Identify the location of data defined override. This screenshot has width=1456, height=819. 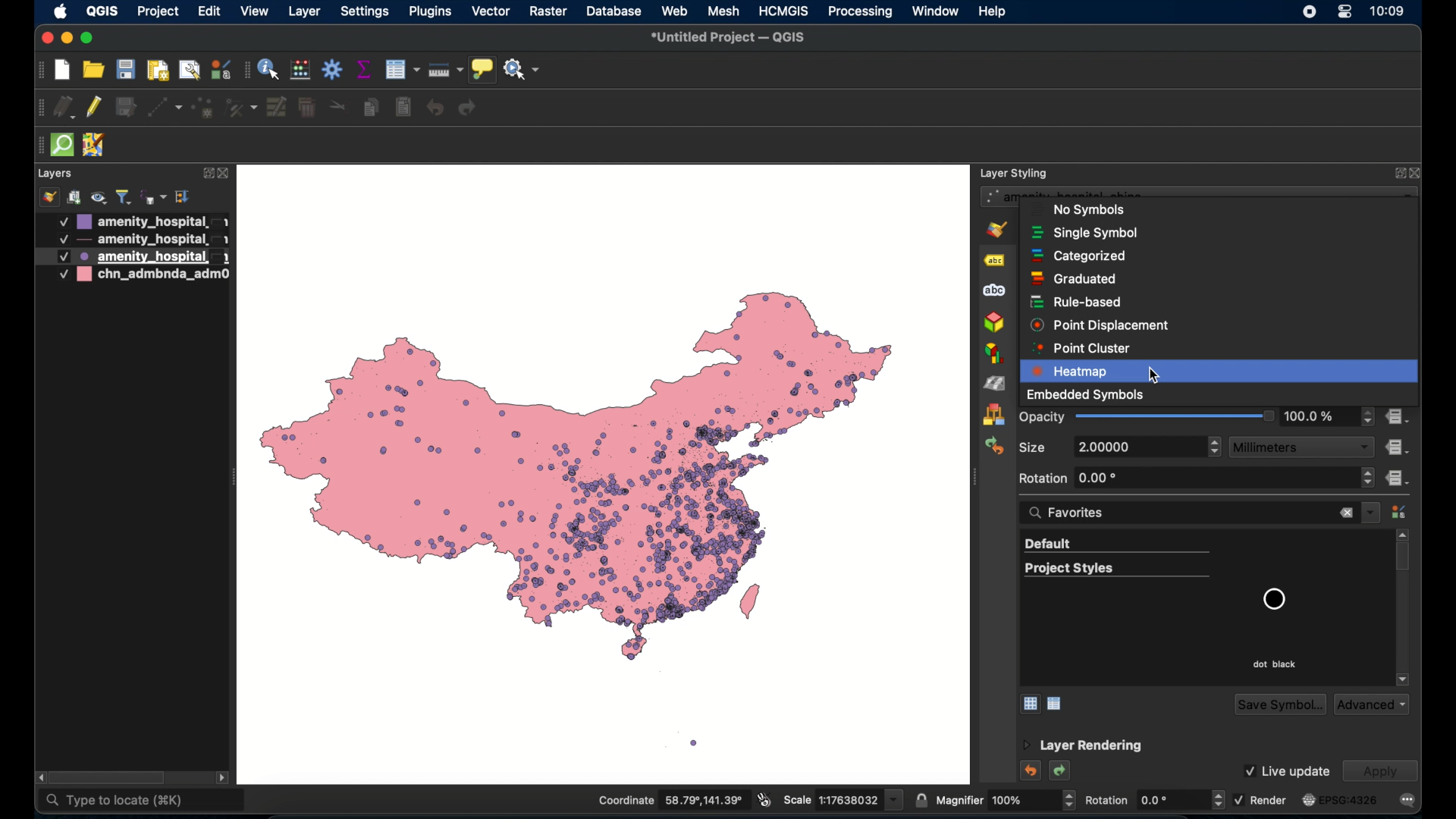
(1398, 479).